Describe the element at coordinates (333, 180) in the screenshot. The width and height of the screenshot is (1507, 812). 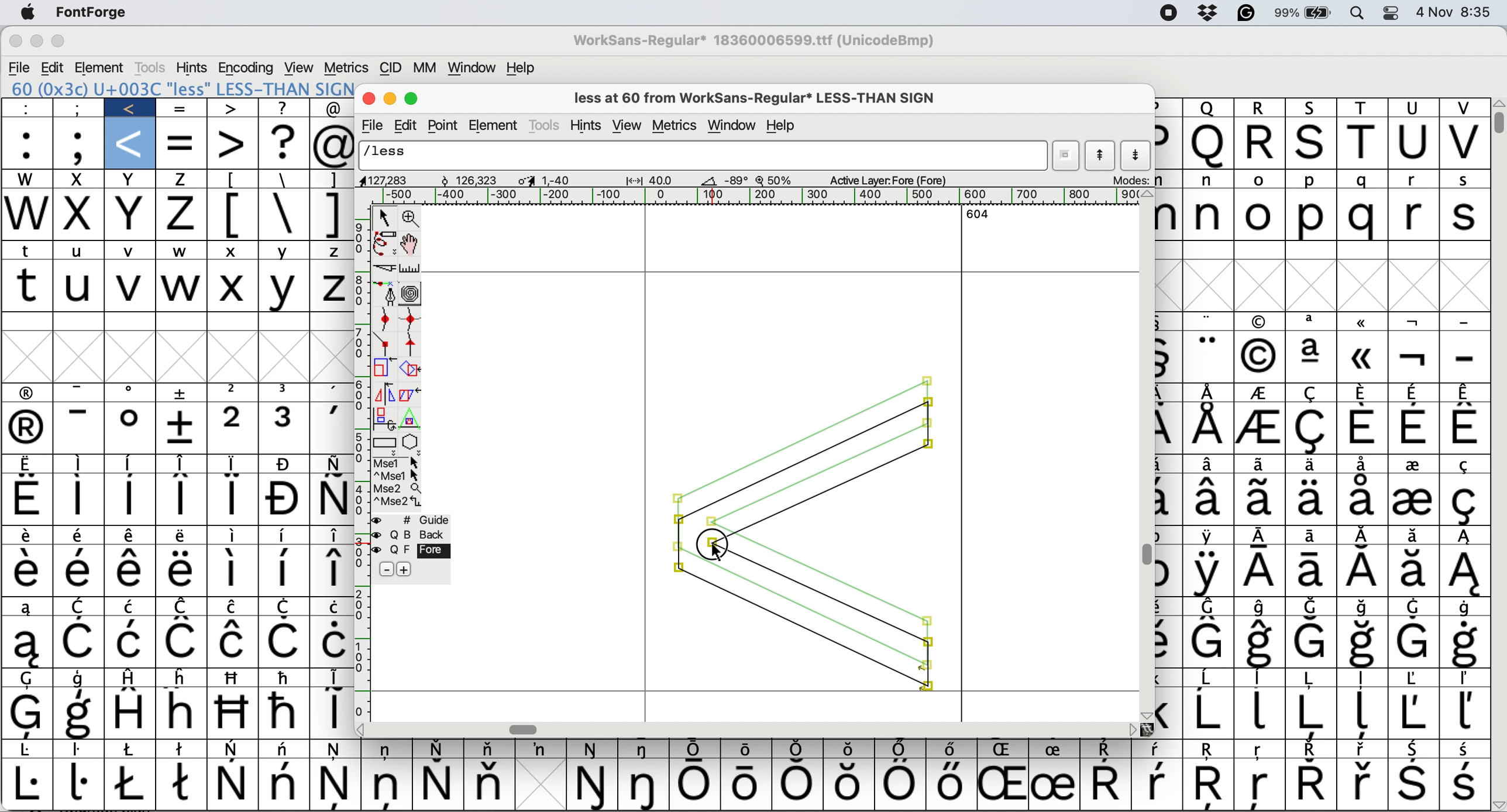
I see `]` at that location.